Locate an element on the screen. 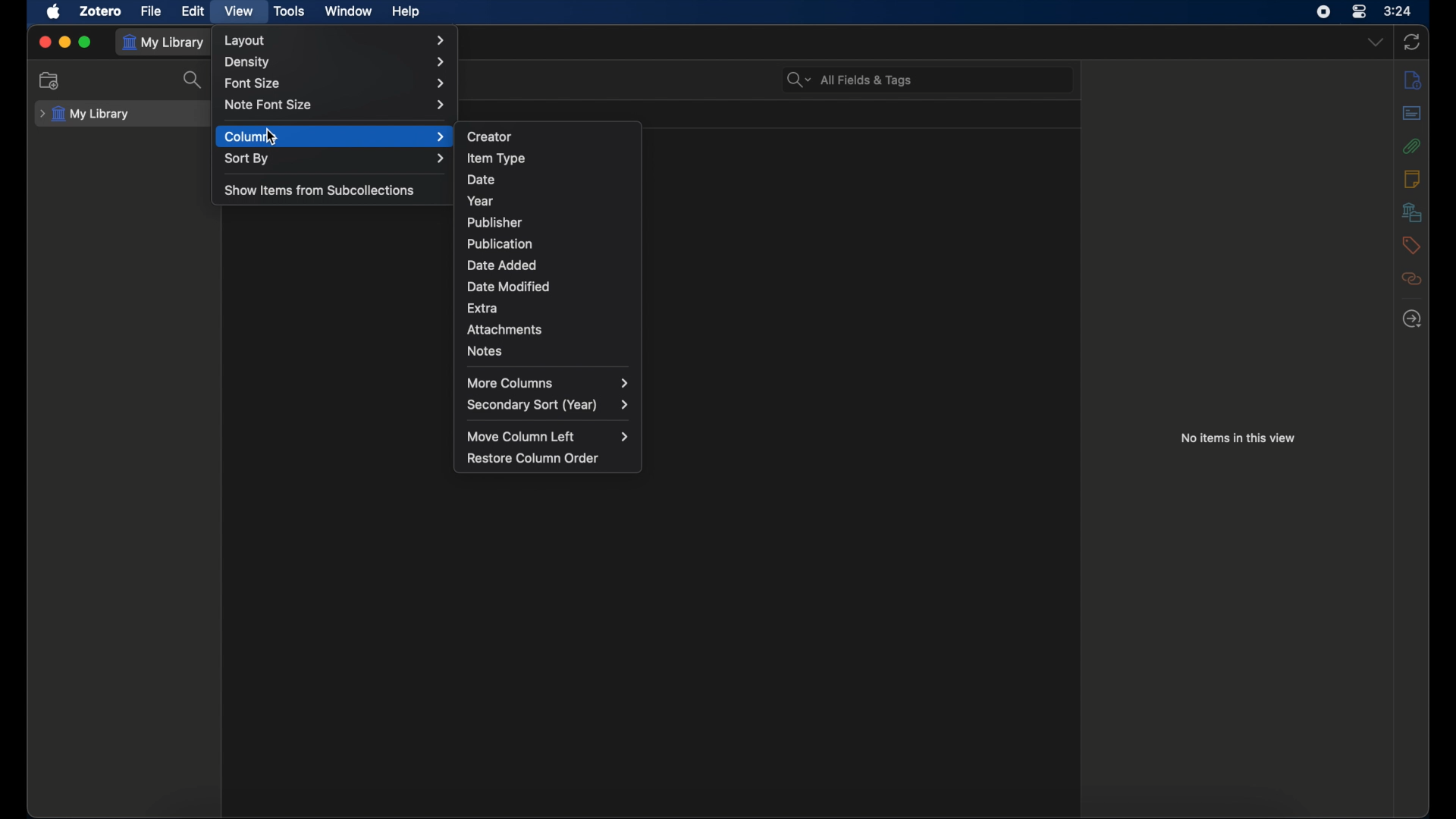 Image resolution: width=1456 pixels, height=819 pixels. my library is located at coordinates (167, 43).